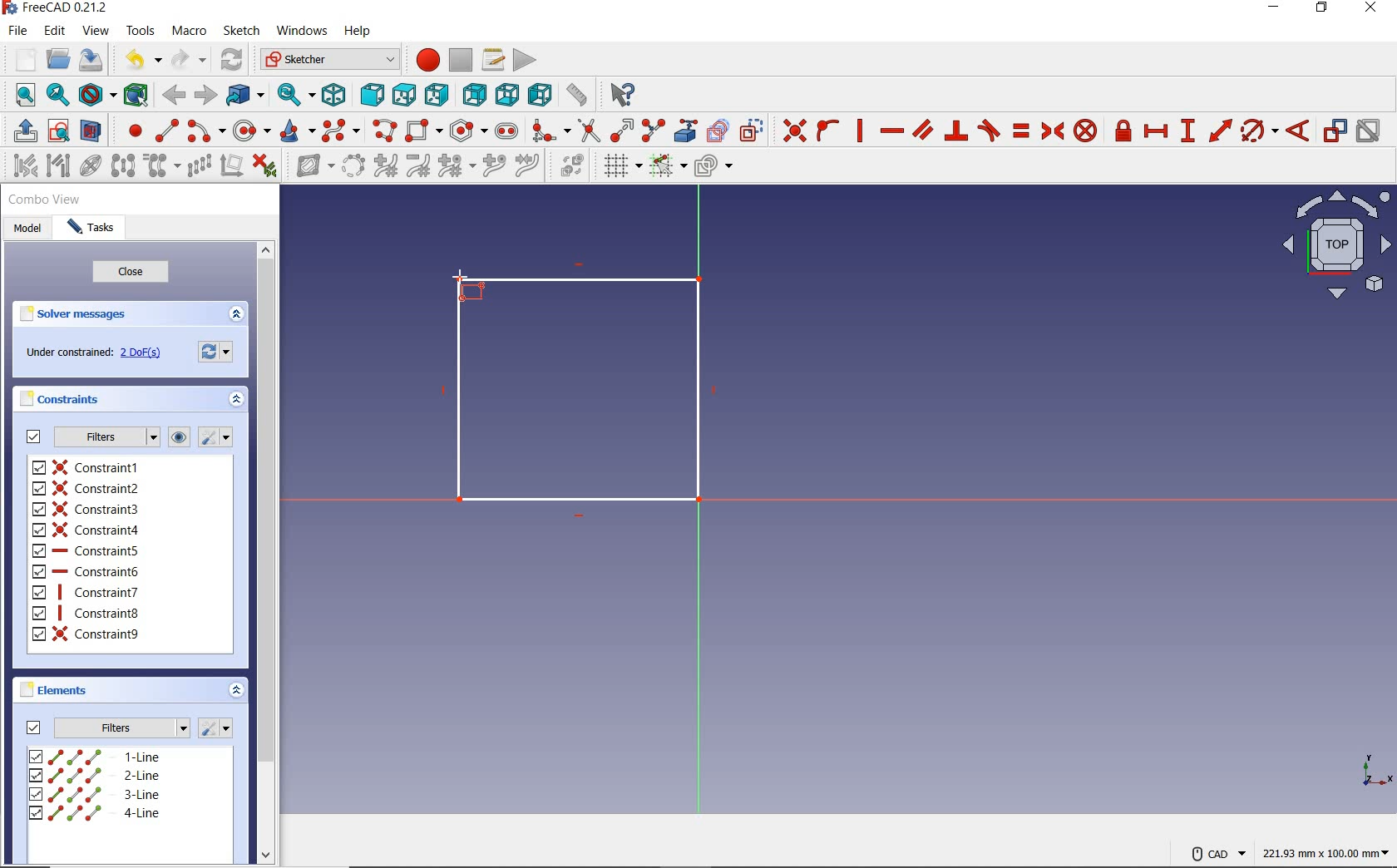  Describe the element at coordinates (506, 94) in the screenshot. I see `bottom` at that location.